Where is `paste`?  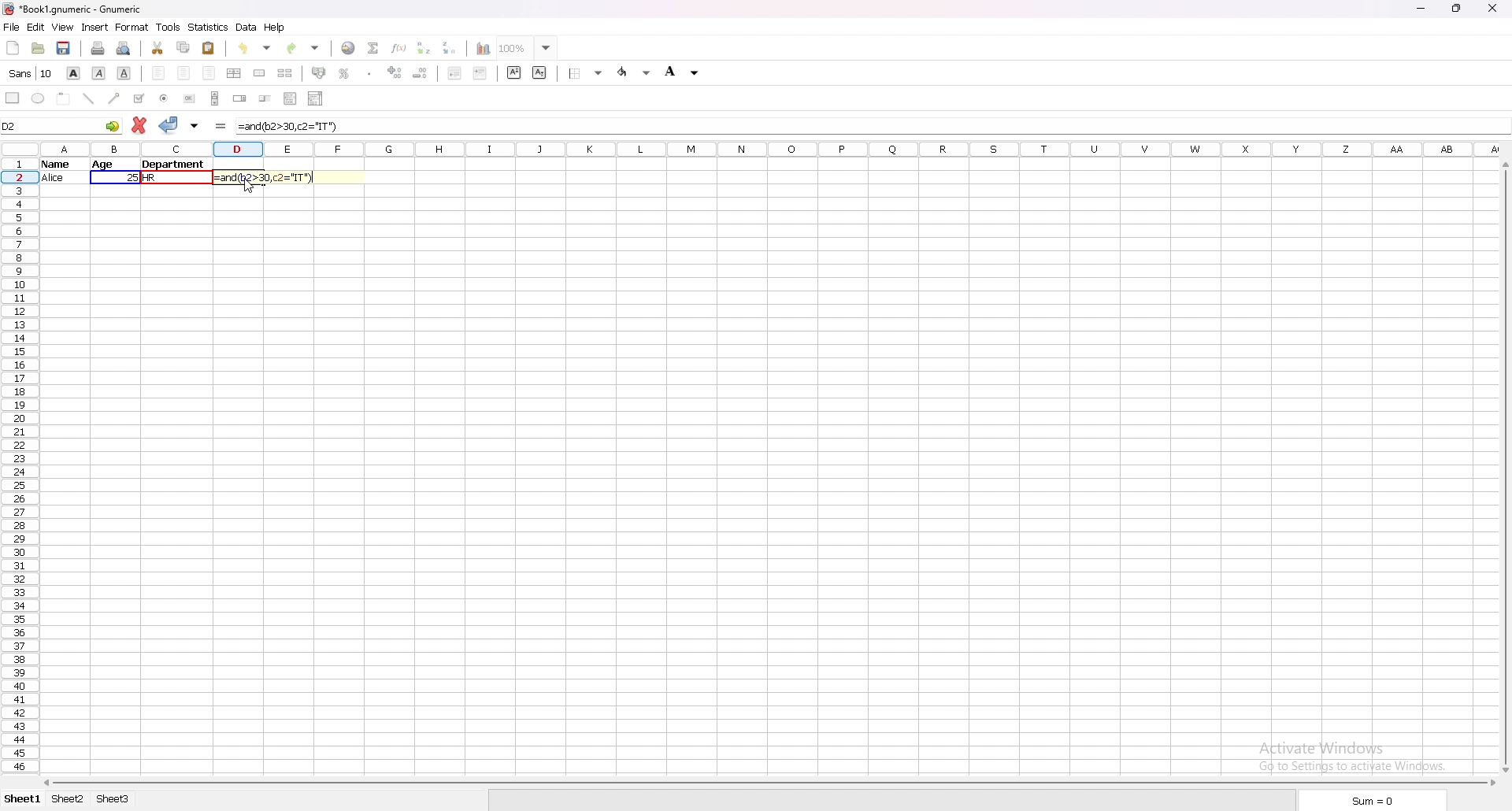 paste is located at coordinates (209, 48).